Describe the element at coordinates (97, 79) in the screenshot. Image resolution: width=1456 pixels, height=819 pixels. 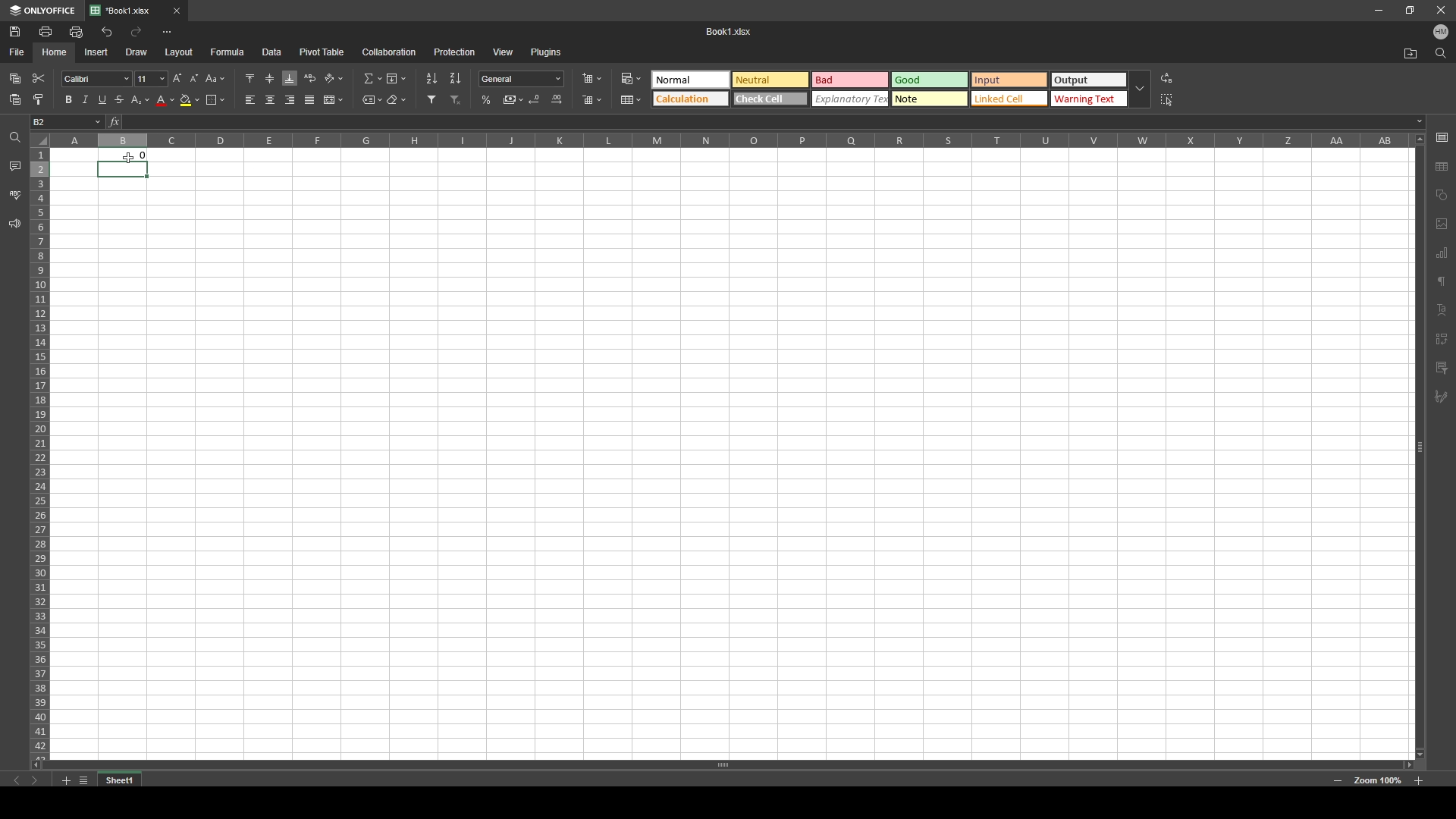
I see `font style` at that location.